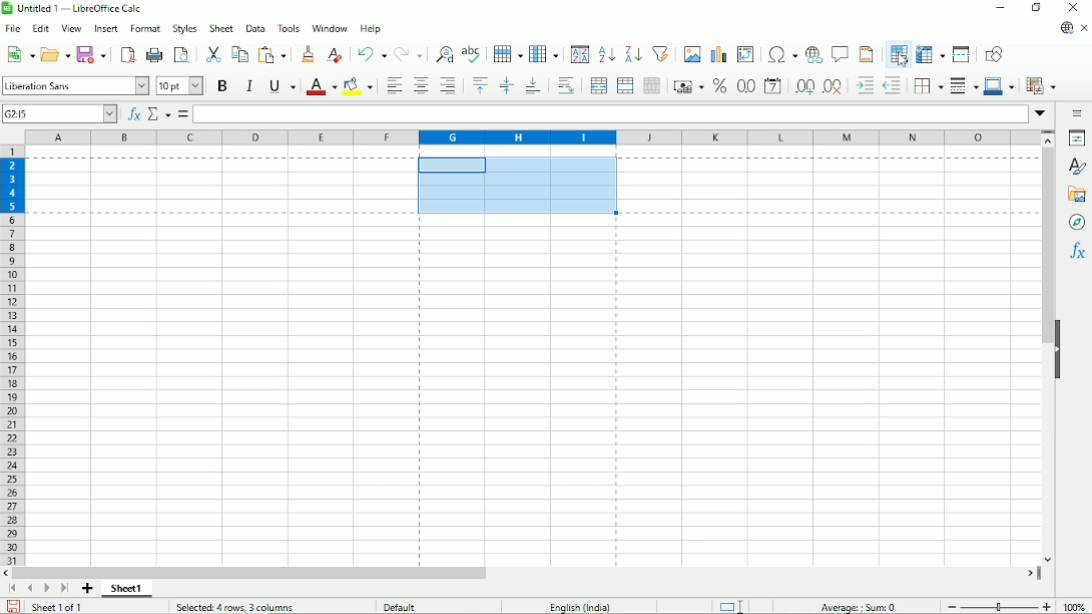  What do you see at coordinates (927, 87) in the screenshot?
I see `Borders` at bounding box center [927, 87].